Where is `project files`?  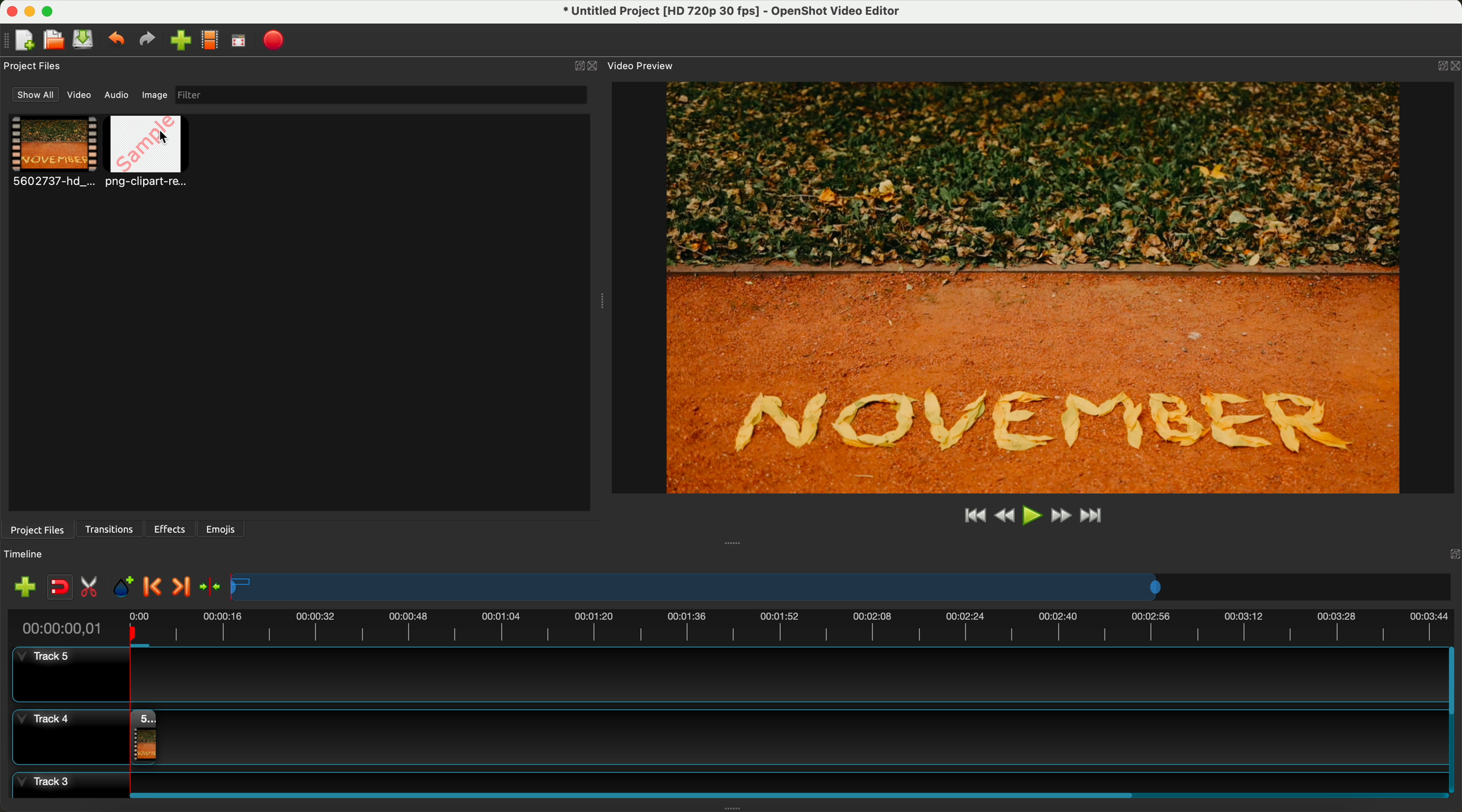 project files is located at coordinates (36, 529).